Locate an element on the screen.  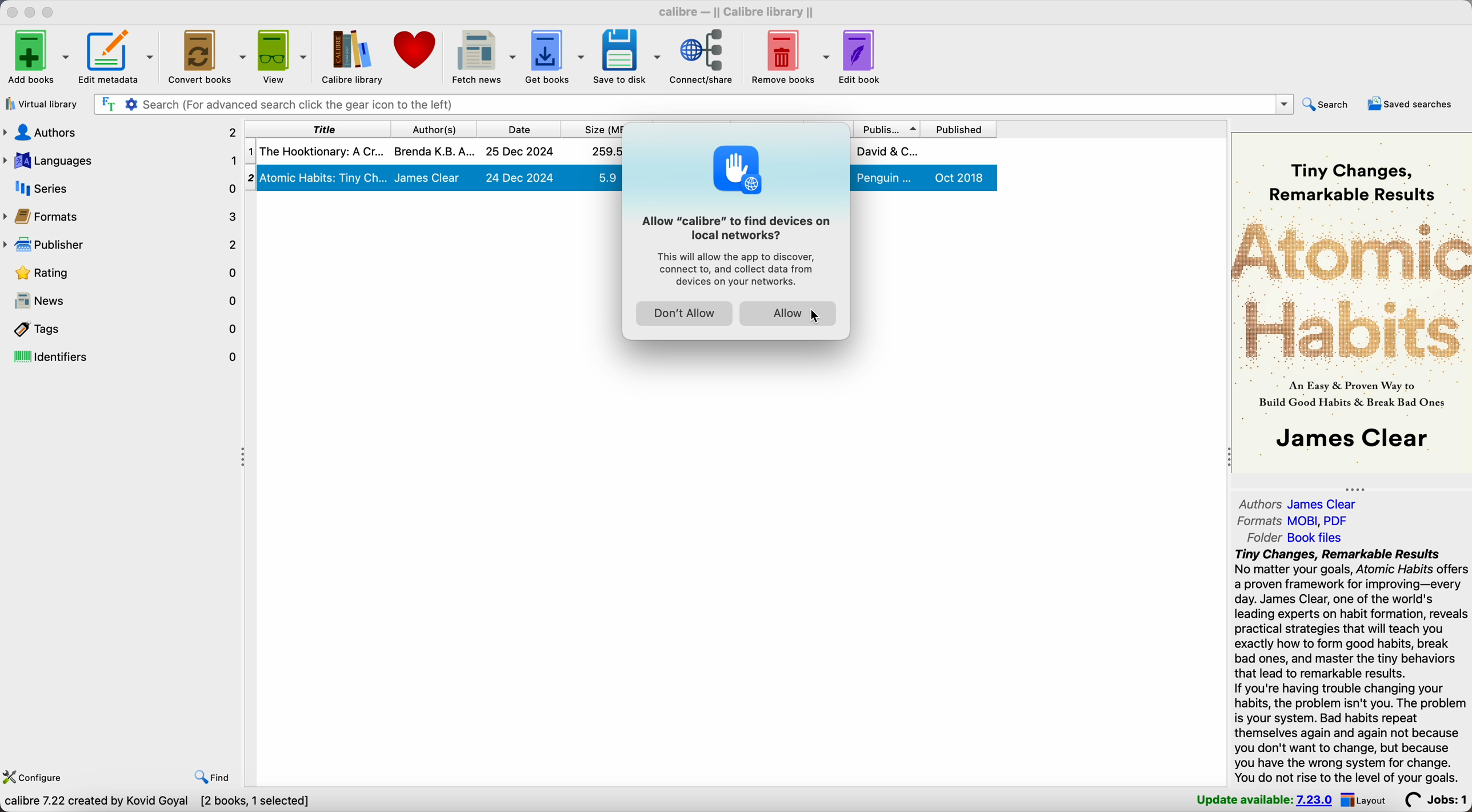
search bar is located at coordinates (692, 104).